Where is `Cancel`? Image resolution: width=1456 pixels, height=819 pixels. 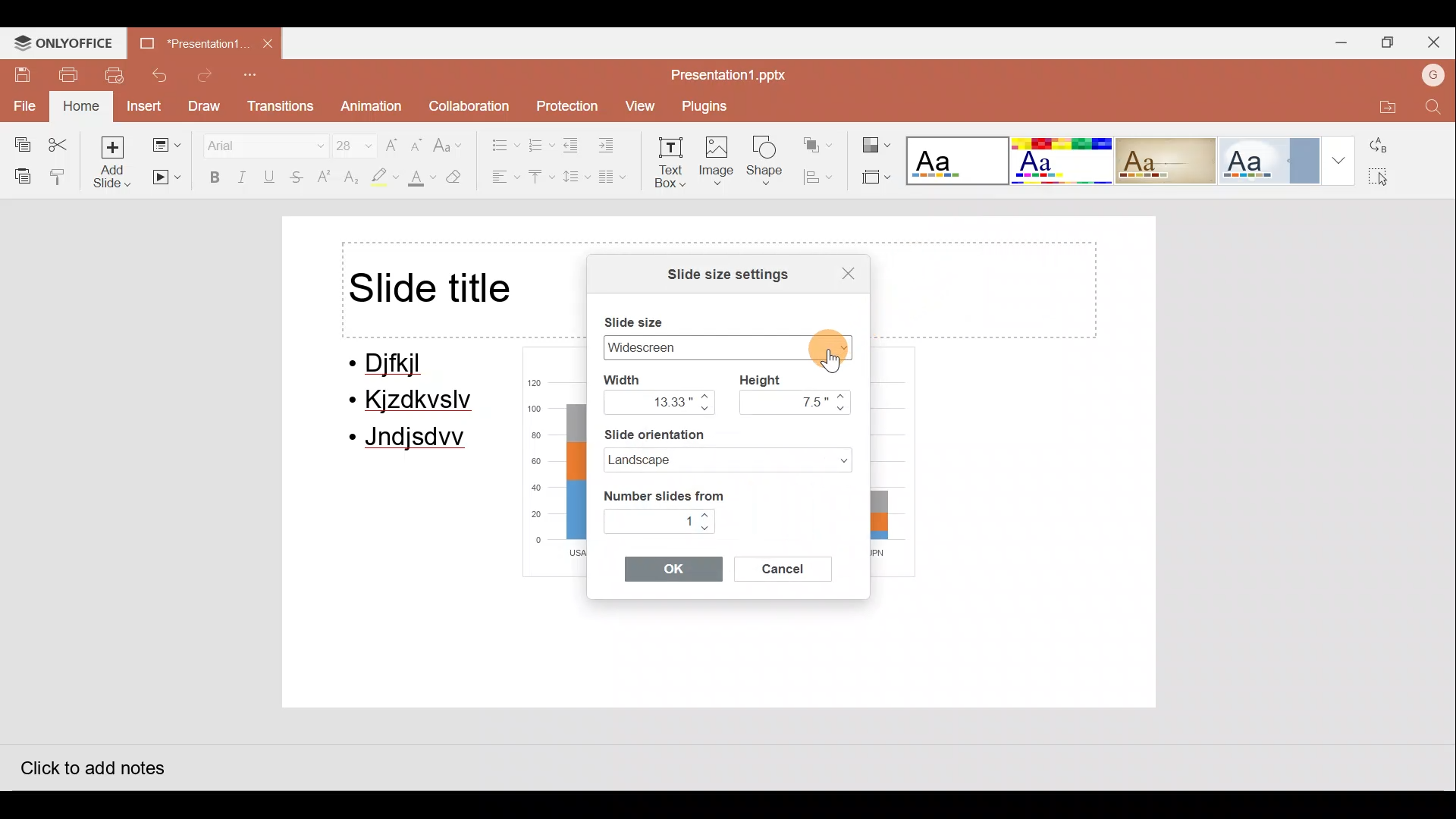 Cancel is located at coordinates (790, 567).